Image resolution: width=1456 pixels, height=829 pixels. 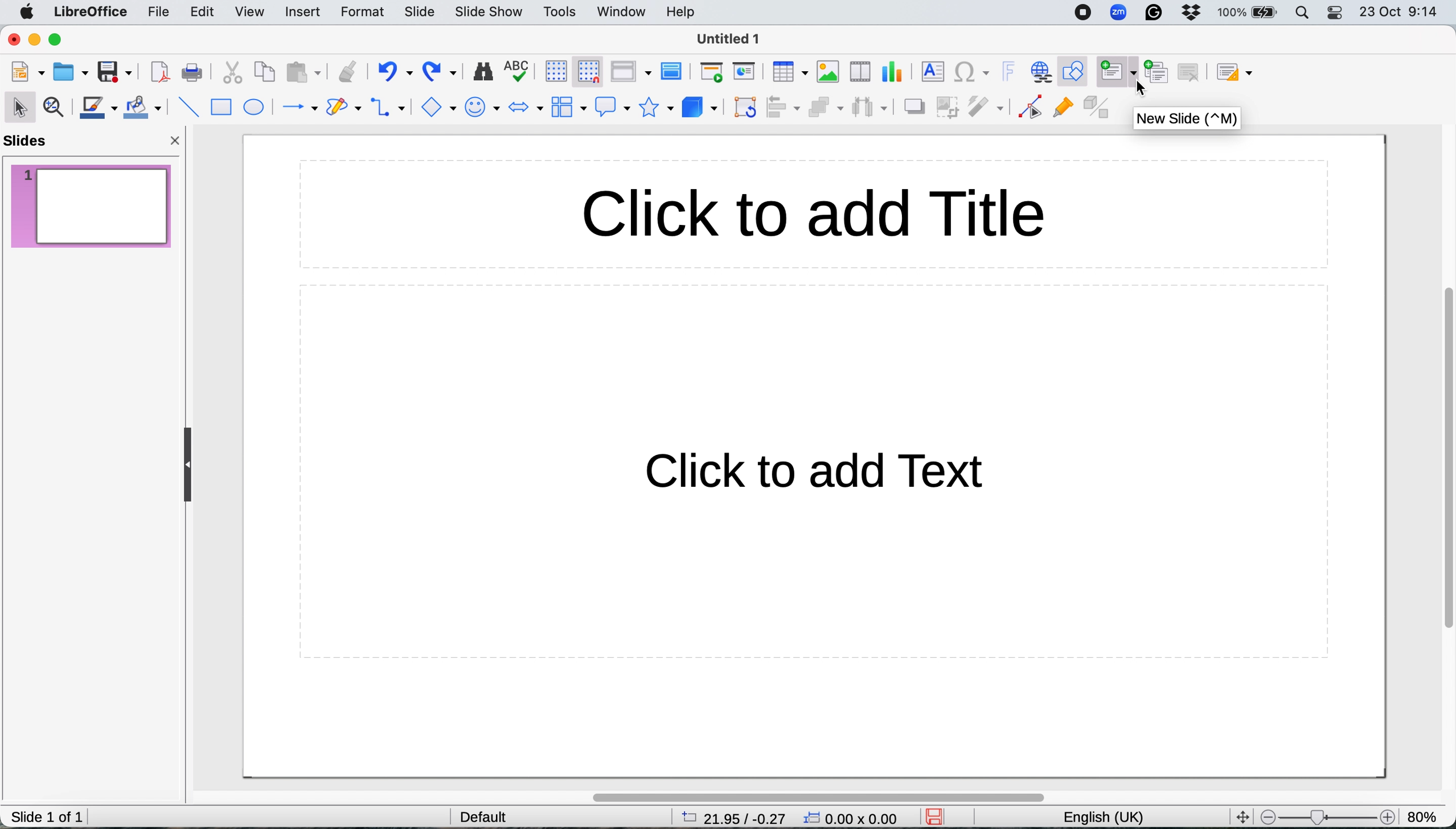 What do you see at coordinates (526, 108) in the screenshot?
I see `block arrows` at bounding box center [526, 108].